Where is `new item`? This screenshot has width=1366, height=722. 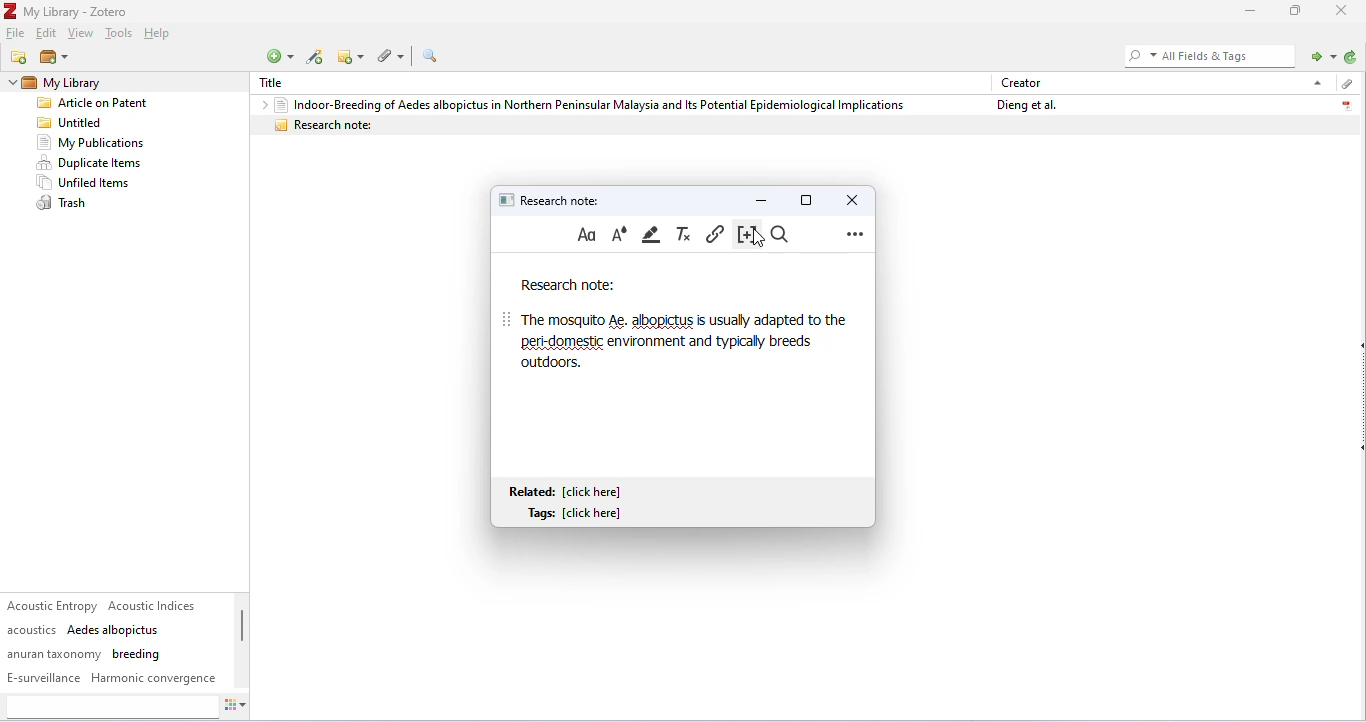 new item is located at coordinates (279, 56).